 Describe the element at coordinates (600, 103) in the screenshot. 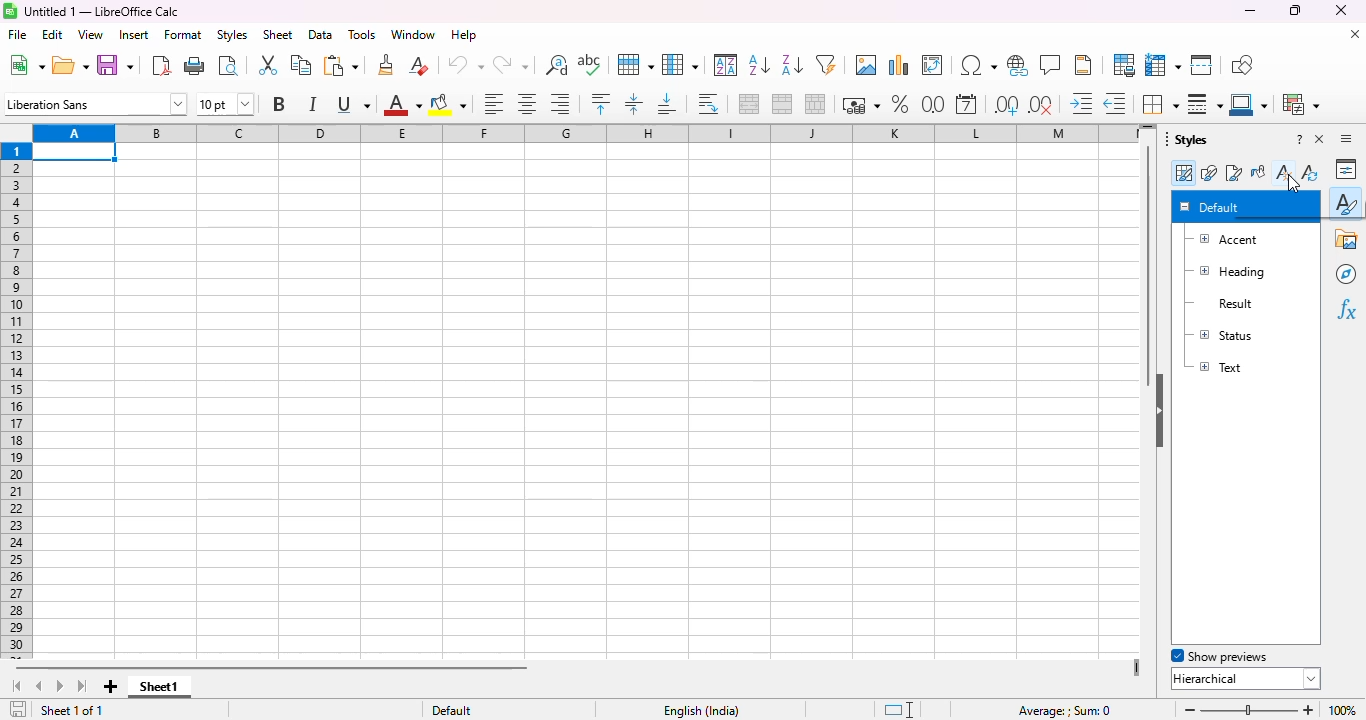

I see `align top` at that location.